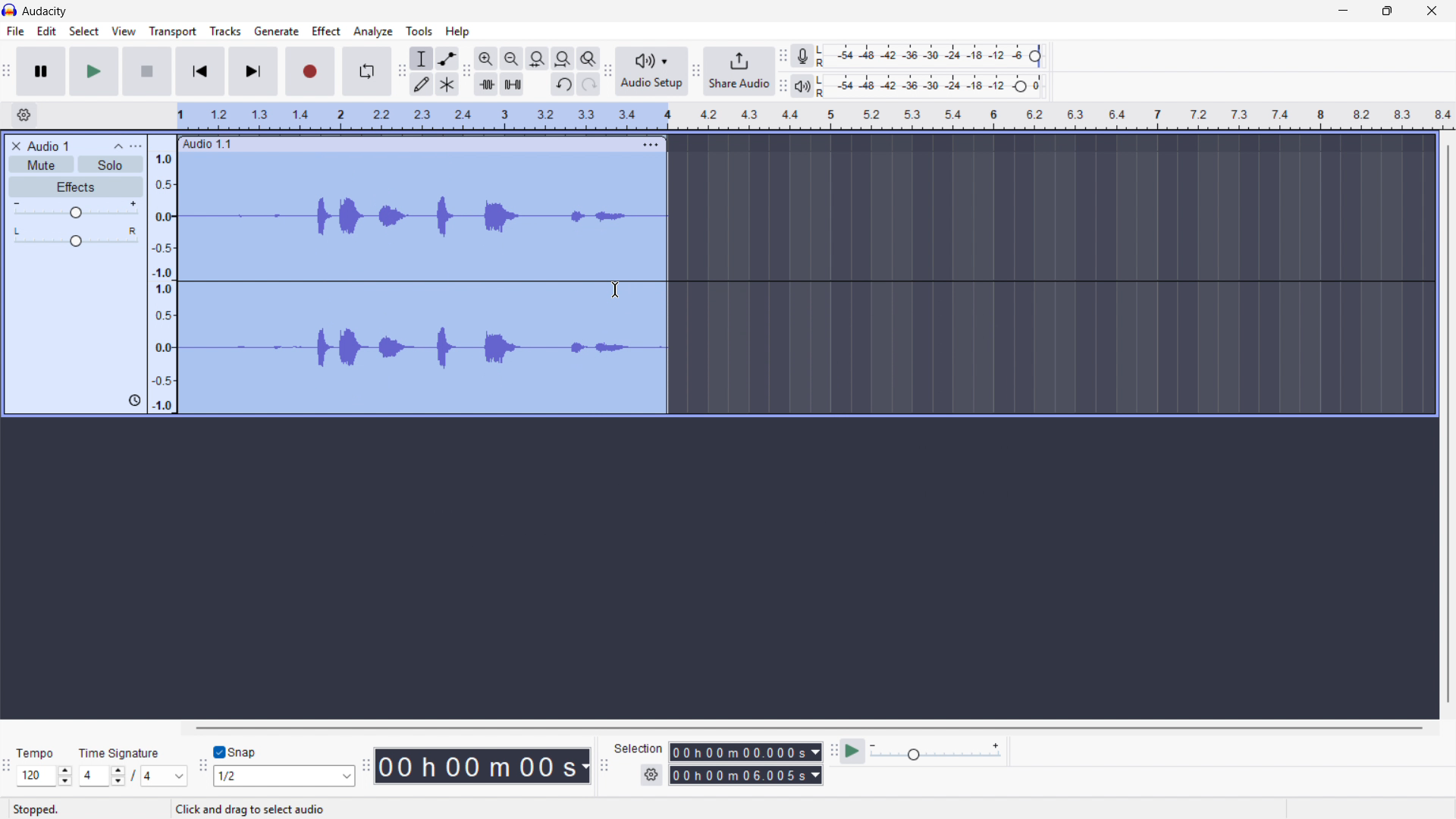 The image size is (1456, 819). What do you see at coordinates (111, 164) in the screenshot?
I see `Solo` at bounding box center [111, 164].